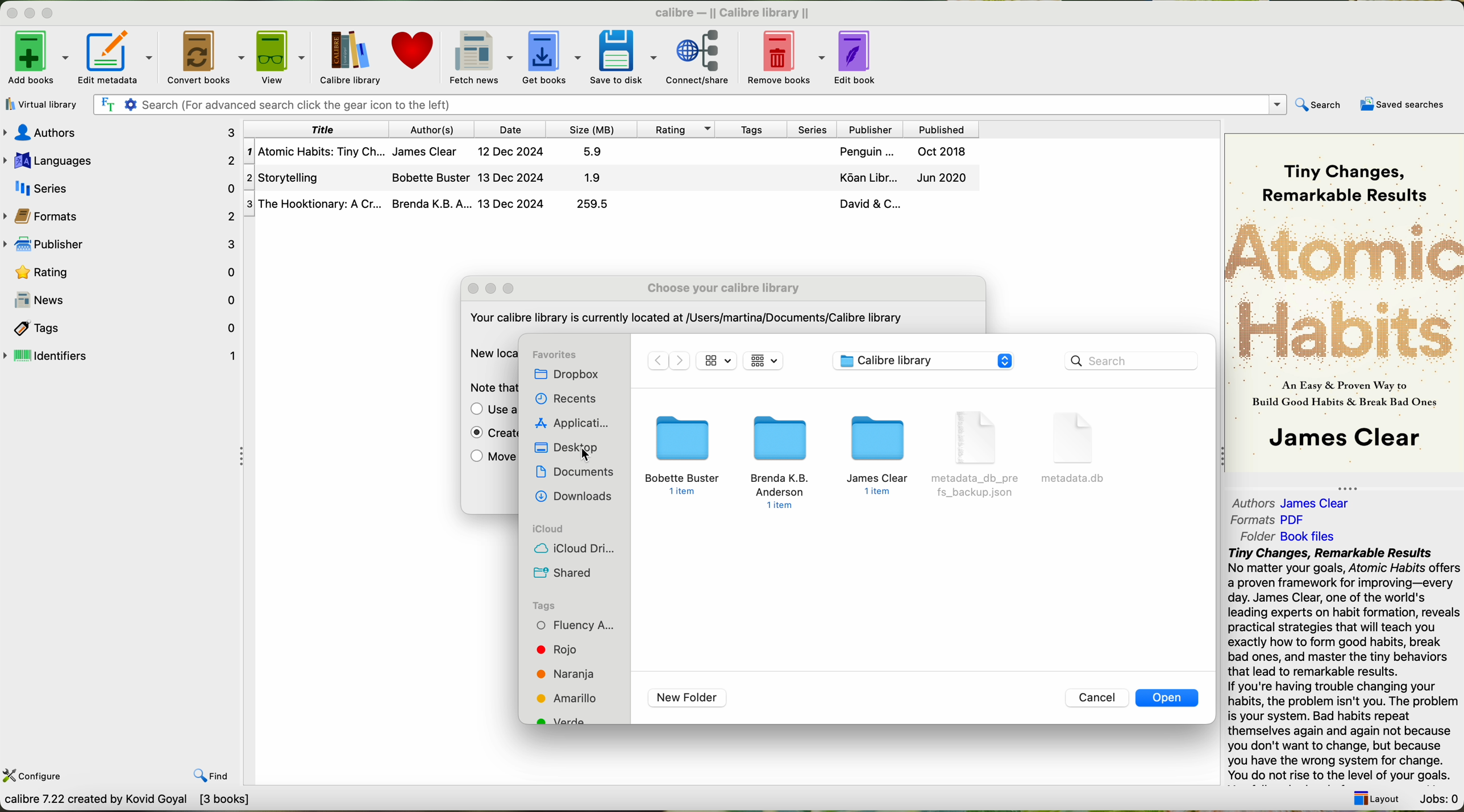  What do you see at coordinates (613, 178) in the screenshot?
I see `Second Storytelling` at bounding box center [613, 178].